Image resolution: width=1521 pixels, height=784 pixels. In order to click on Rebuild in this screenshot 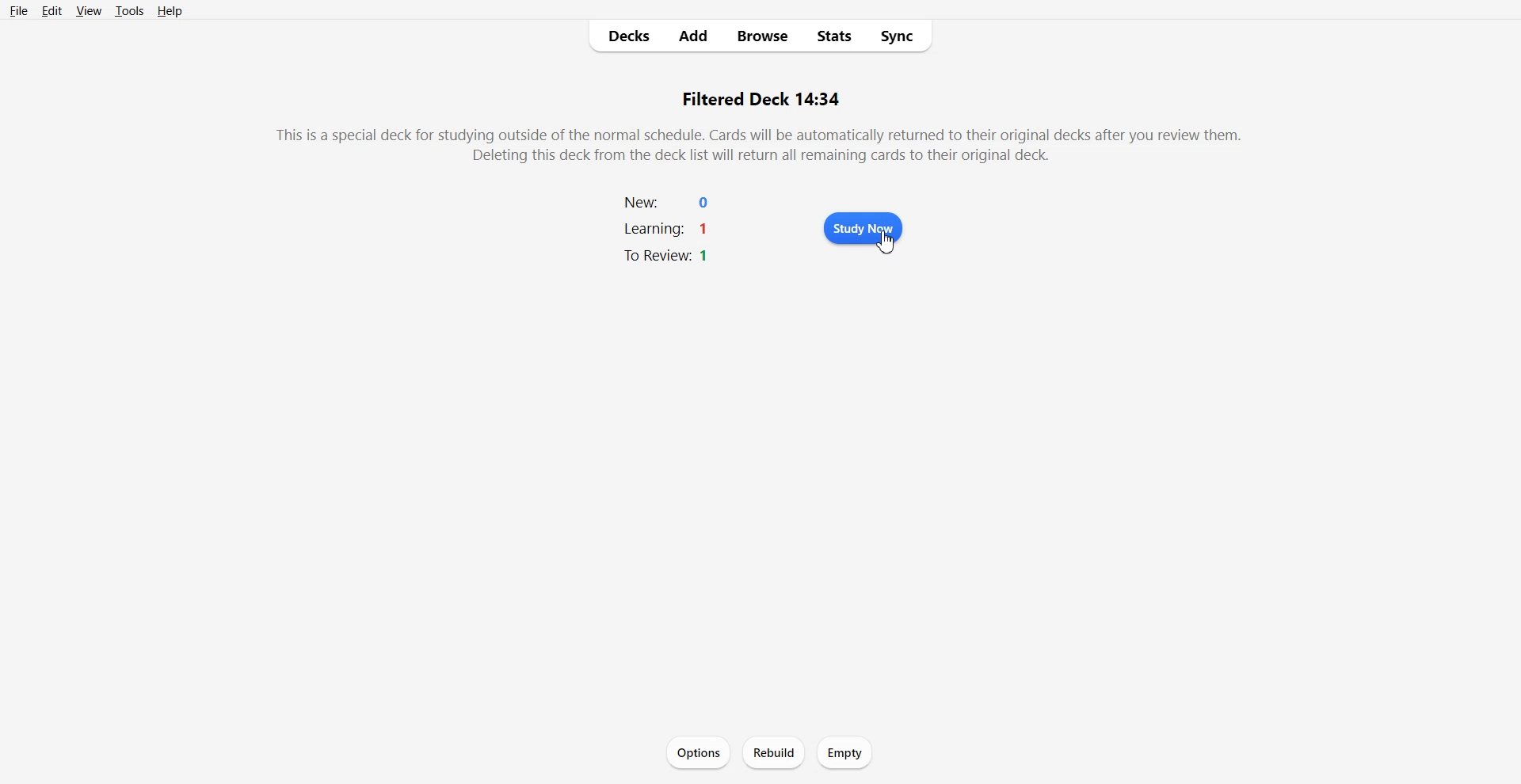, I will do `click(773, 752)`.